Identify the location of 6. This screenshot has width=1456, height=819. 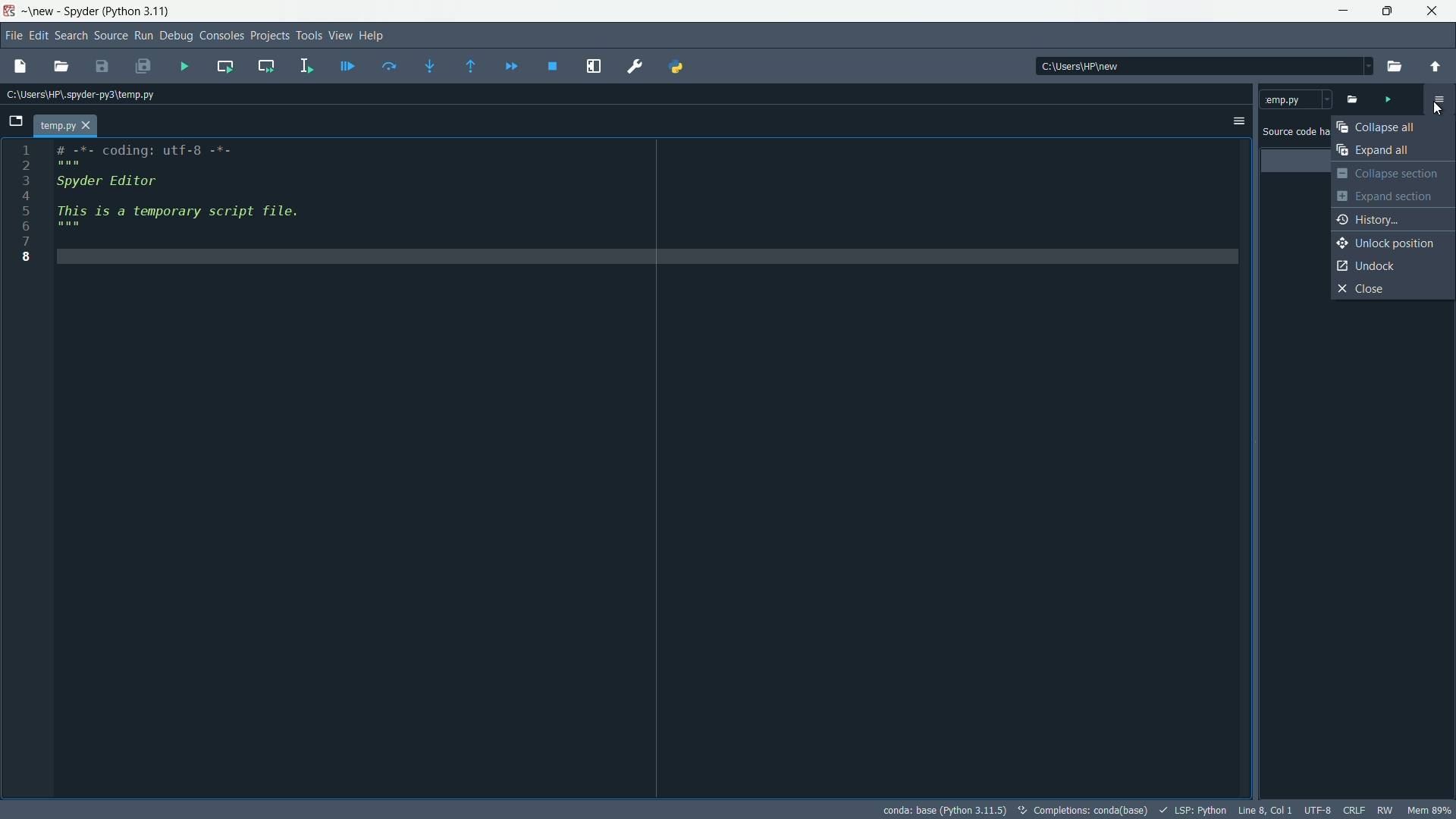
(25, 224).